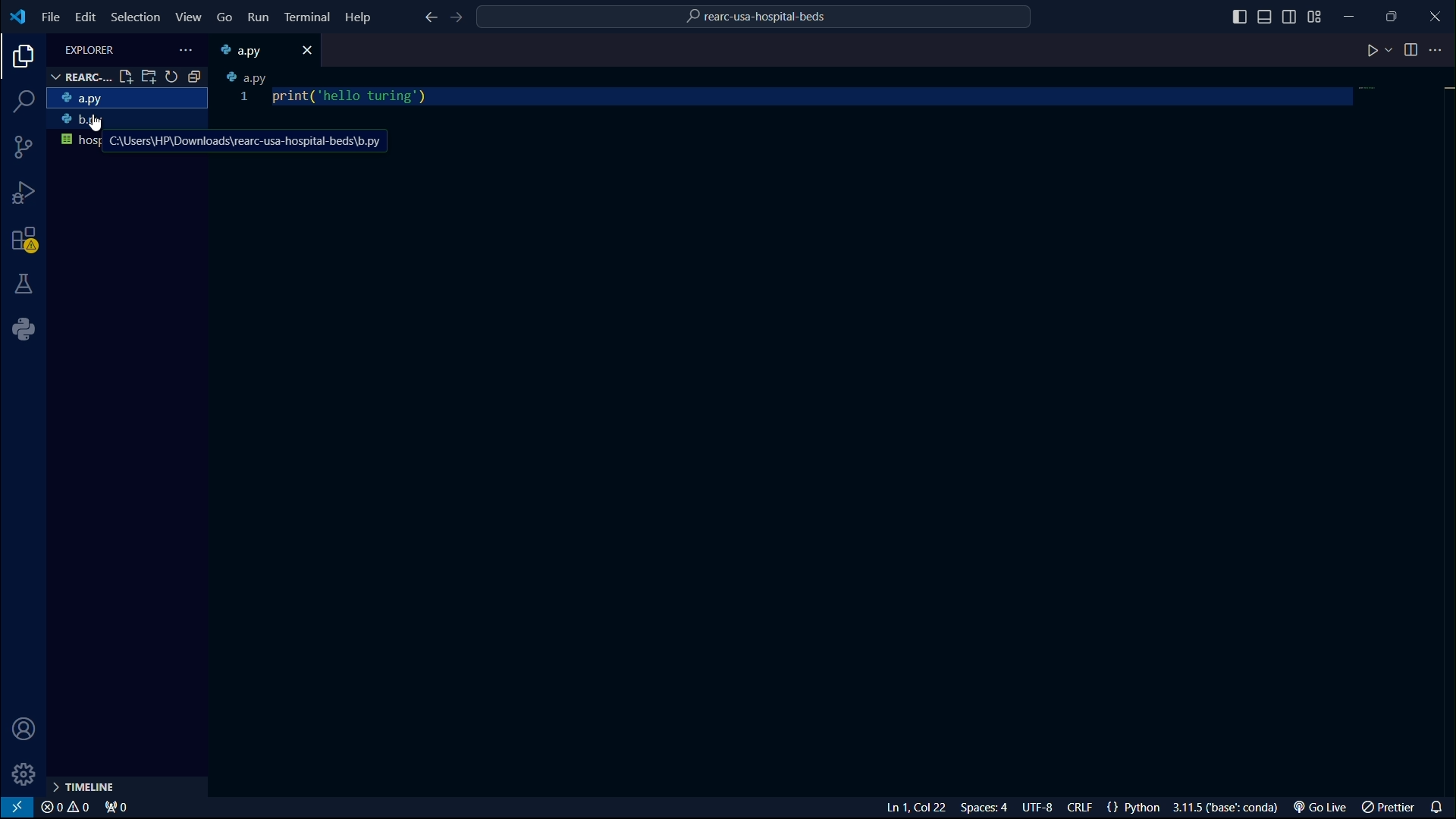 Image resolution: width=1456 pixels, height=819 pixels. Describe the element at coordinates (244, 99) in the screenshot. I see `1` at that location.